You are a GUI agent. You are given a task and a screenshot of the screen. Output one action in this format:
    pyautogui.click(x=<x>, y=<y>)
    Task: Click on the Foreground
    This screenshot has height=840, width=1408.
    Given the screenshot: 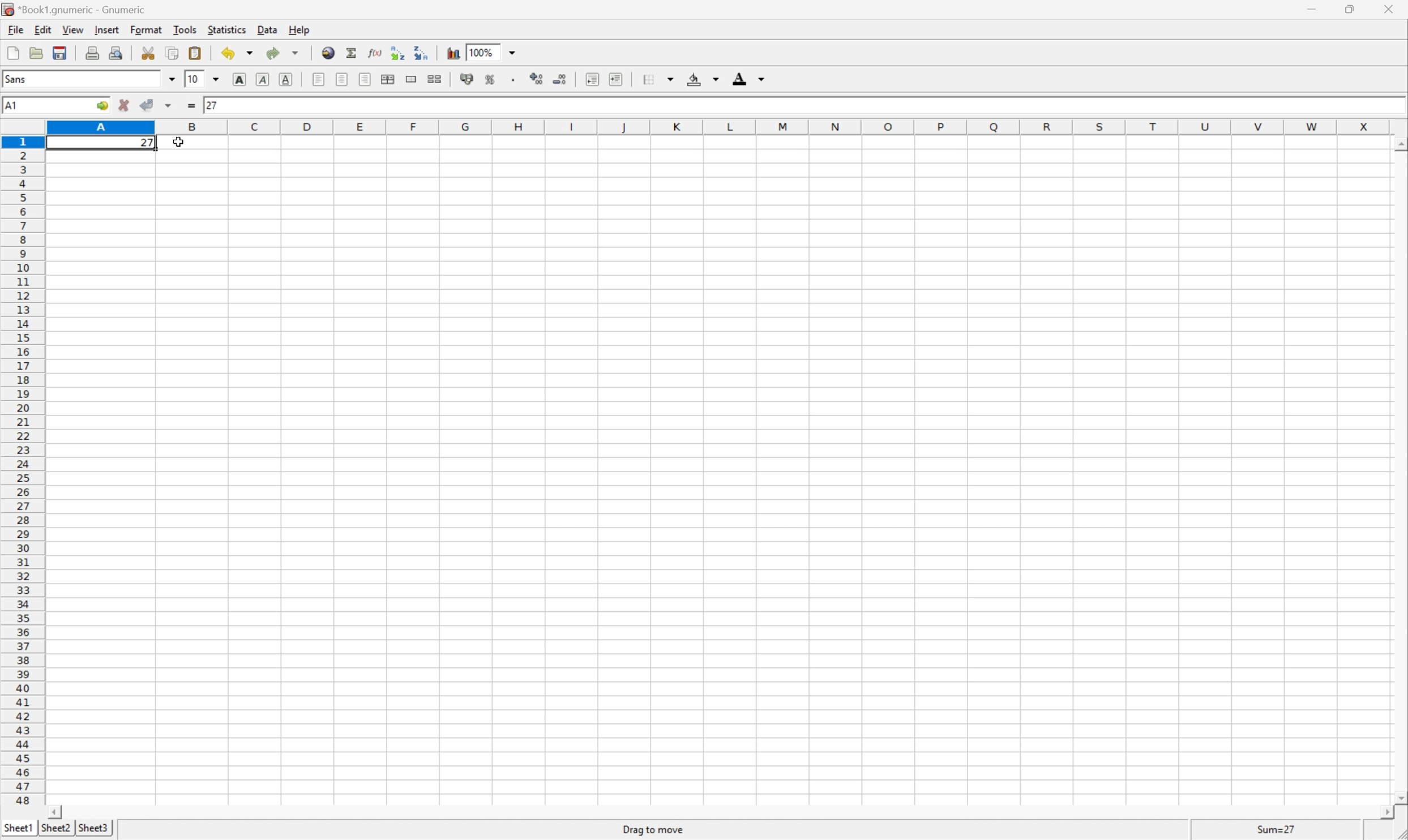 What is the action you would take?
    pyautogui.click(x=748, y=77)
    